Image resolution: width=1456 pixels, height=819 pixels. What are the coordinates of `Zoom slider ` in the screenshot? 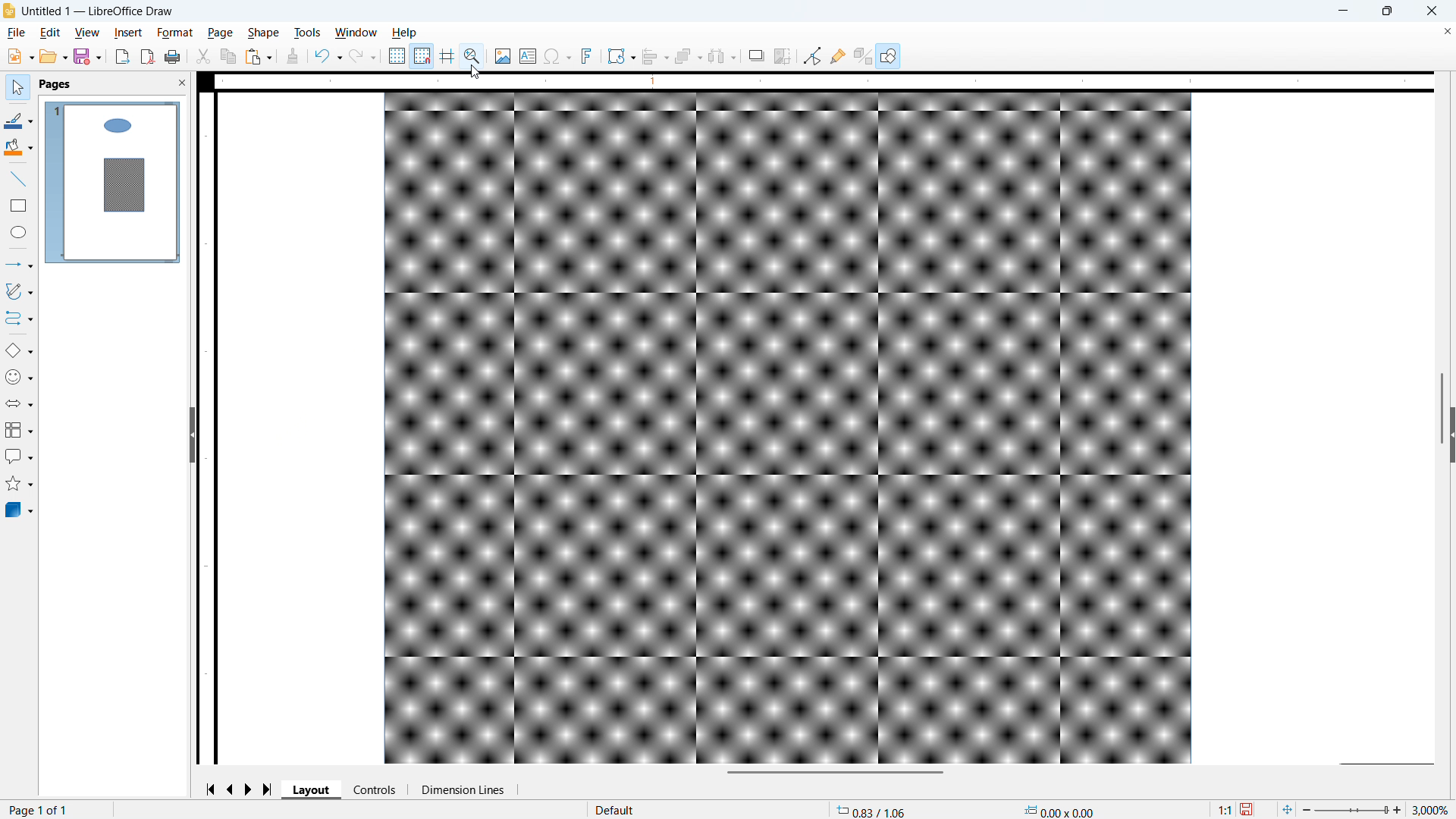 It's located at (1354, 811).